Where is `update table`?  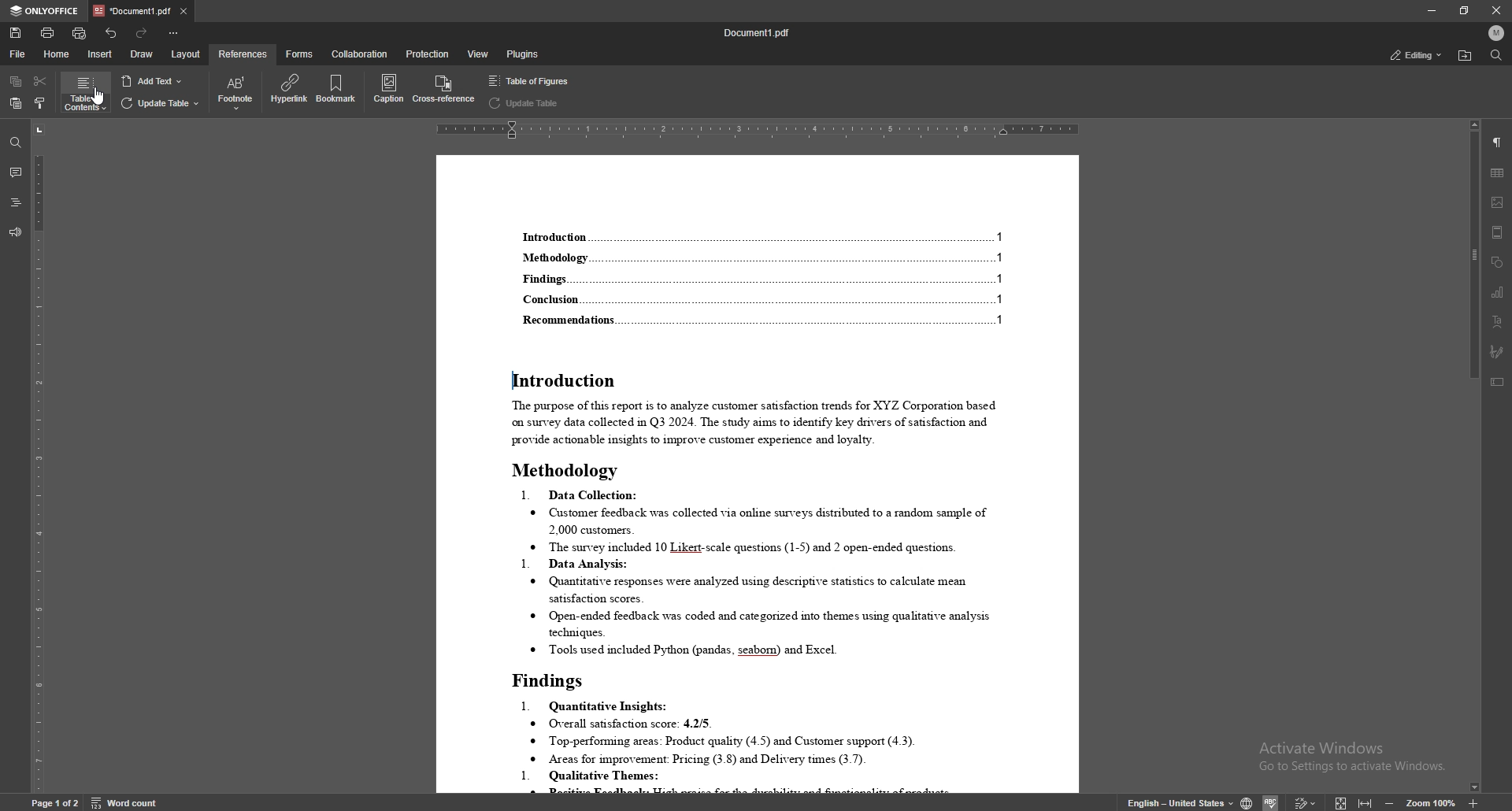
update table is located at coordinates (525, 102).